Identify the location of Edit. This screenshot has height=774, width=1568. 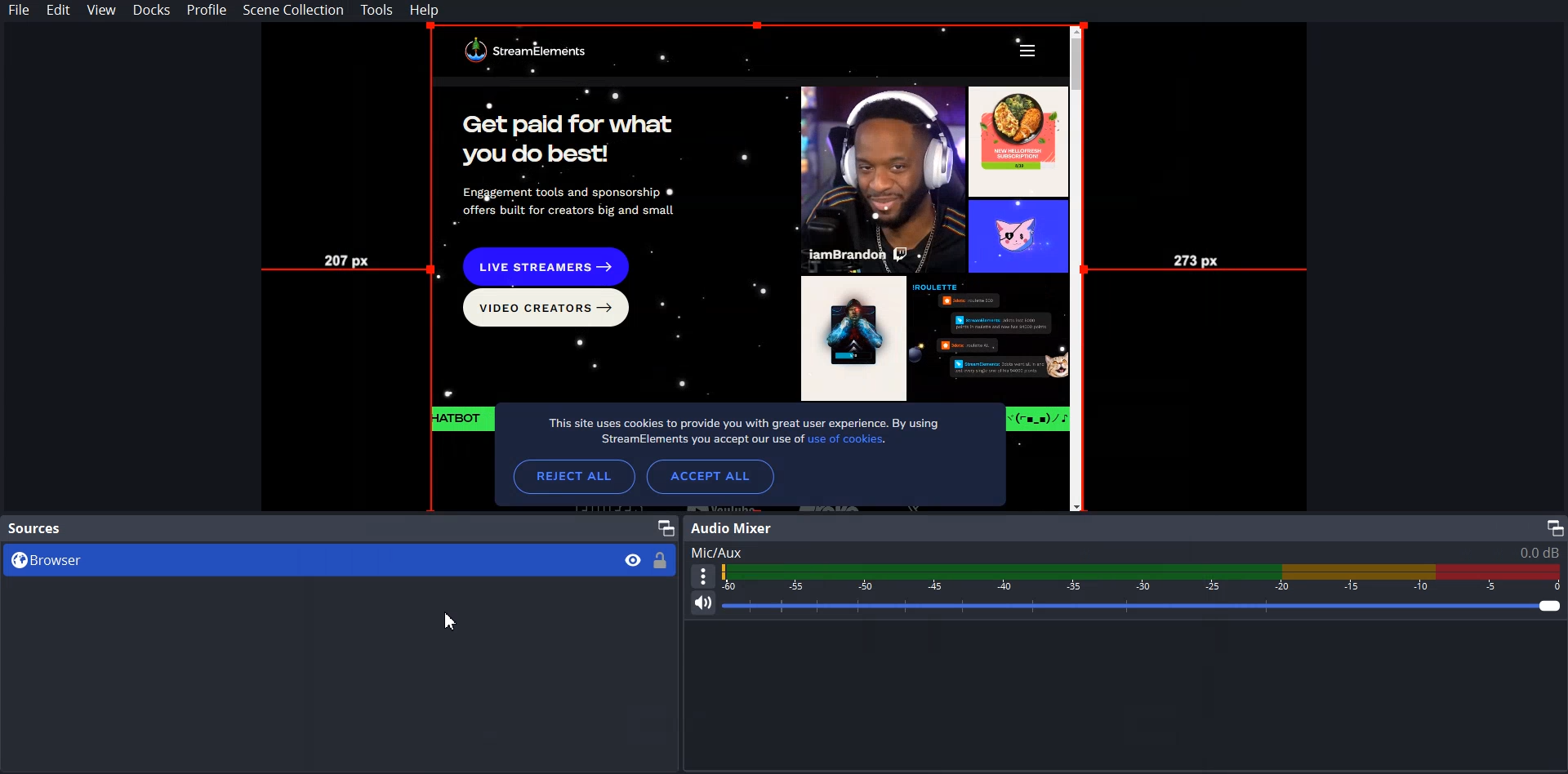
(60, 11).